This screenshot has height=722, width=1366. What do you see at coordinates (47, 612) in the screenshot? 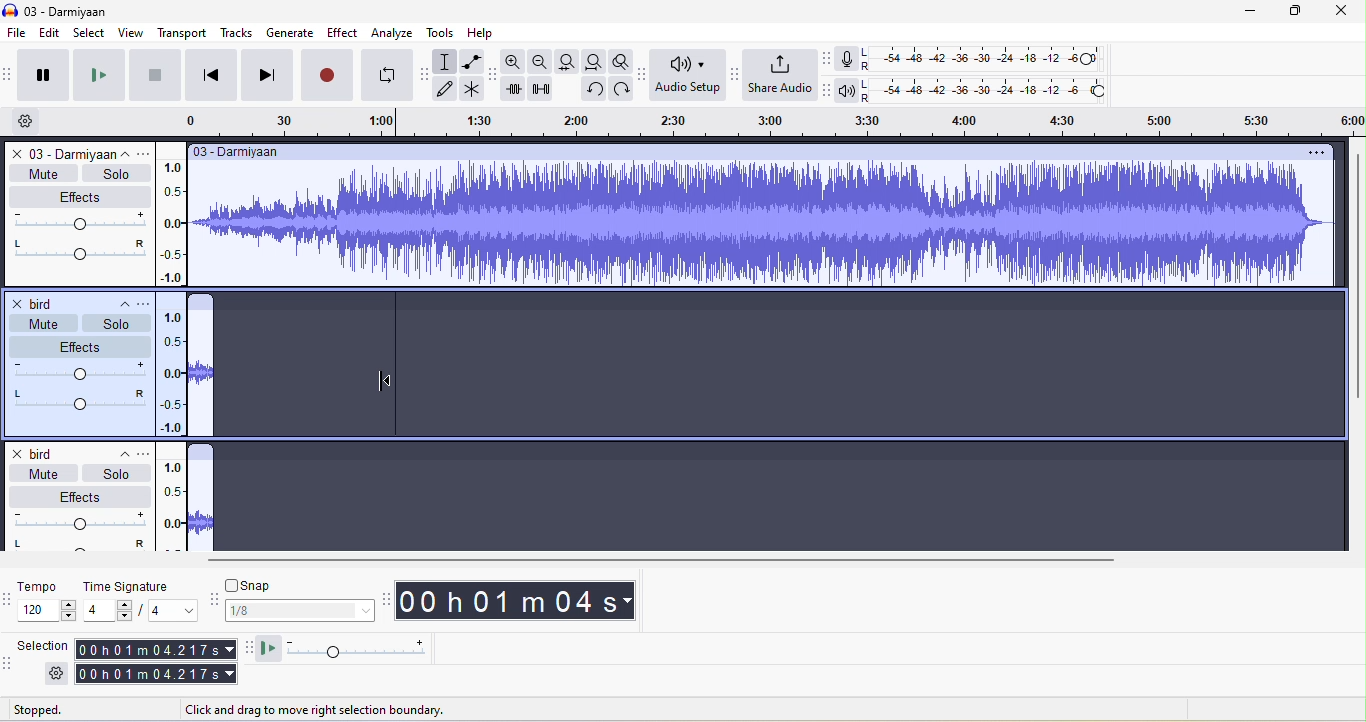
I see `tempo` at bounding box center [47, 612].